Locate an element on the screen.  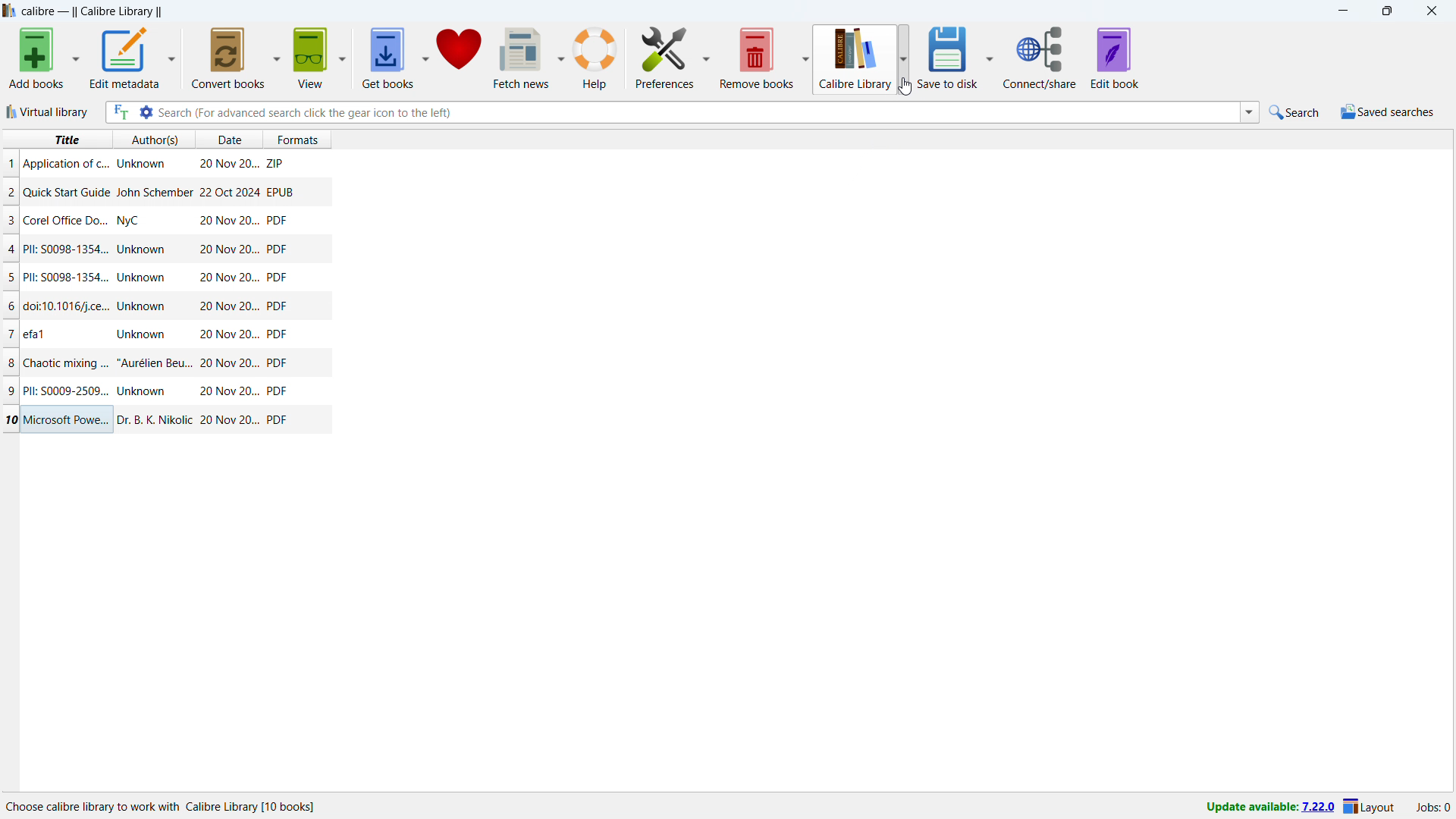
remove books is located at coordinates (757, 58).